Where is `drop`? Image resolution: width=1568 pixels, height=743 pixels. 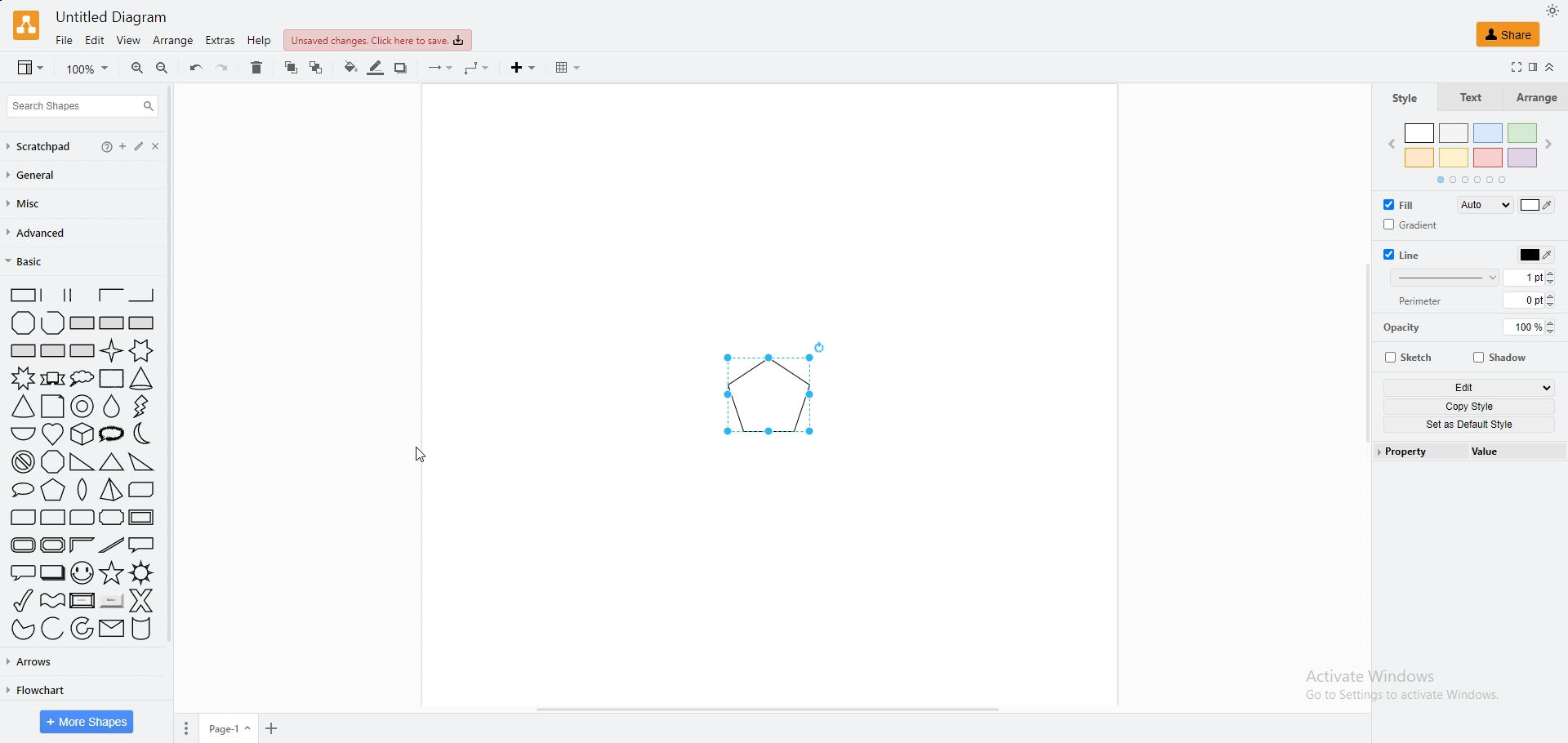
drop is located at coordinates (113, 407).